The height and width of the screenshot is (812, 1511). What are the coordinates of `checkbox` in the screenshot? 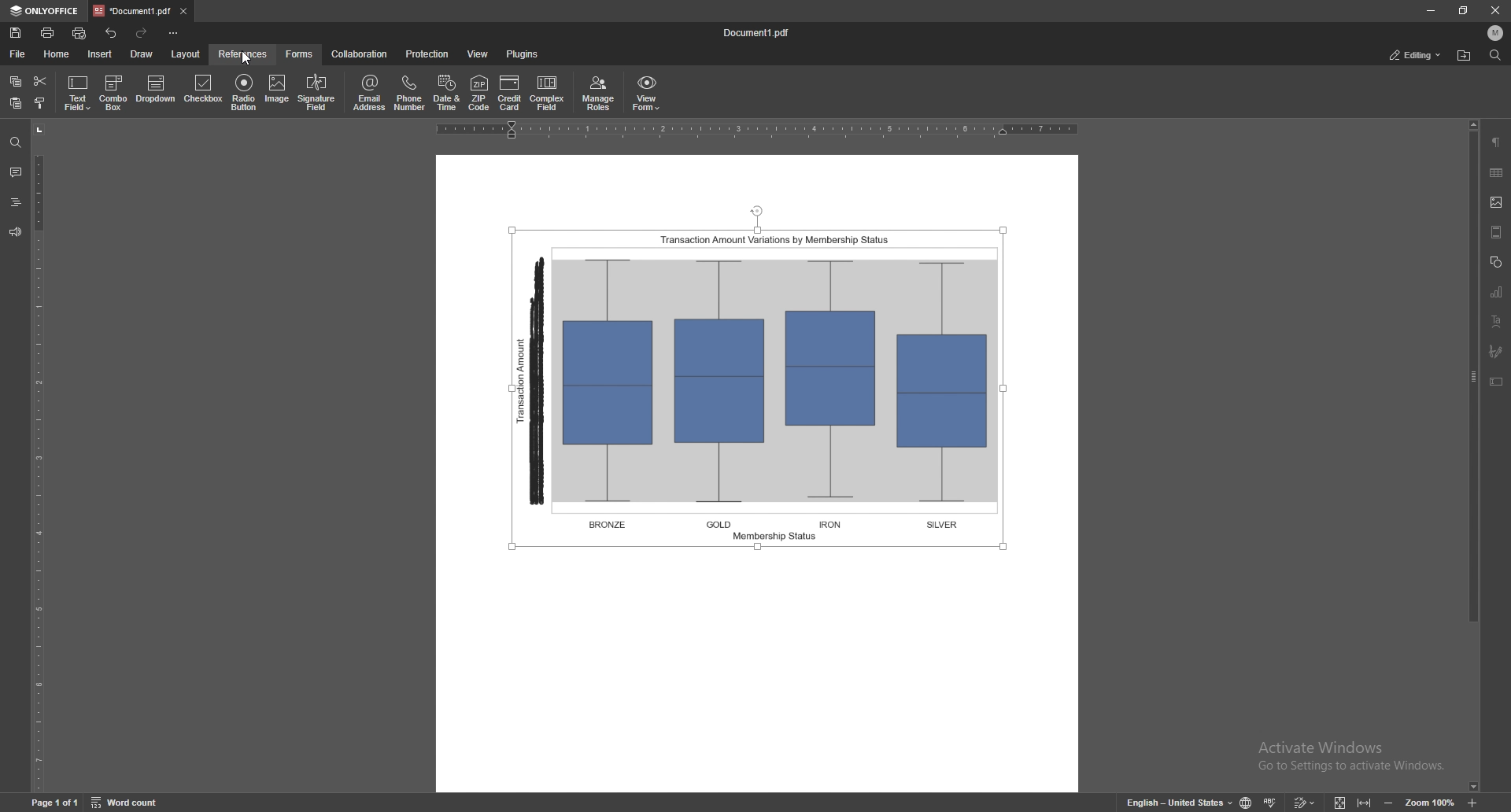 It's located at (202, 90).